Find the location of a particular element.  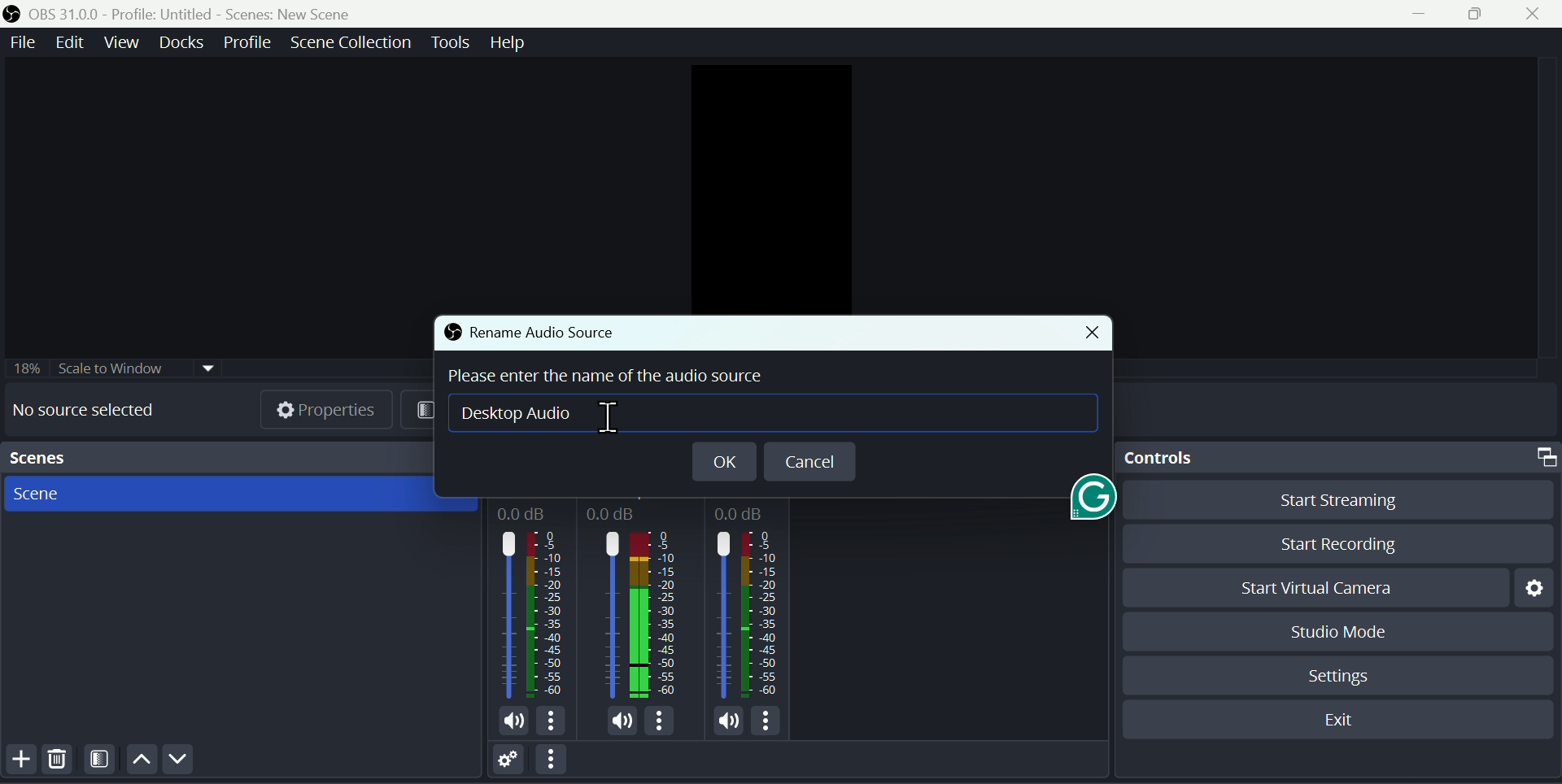

Exit is located at coordinates (1341, 717).